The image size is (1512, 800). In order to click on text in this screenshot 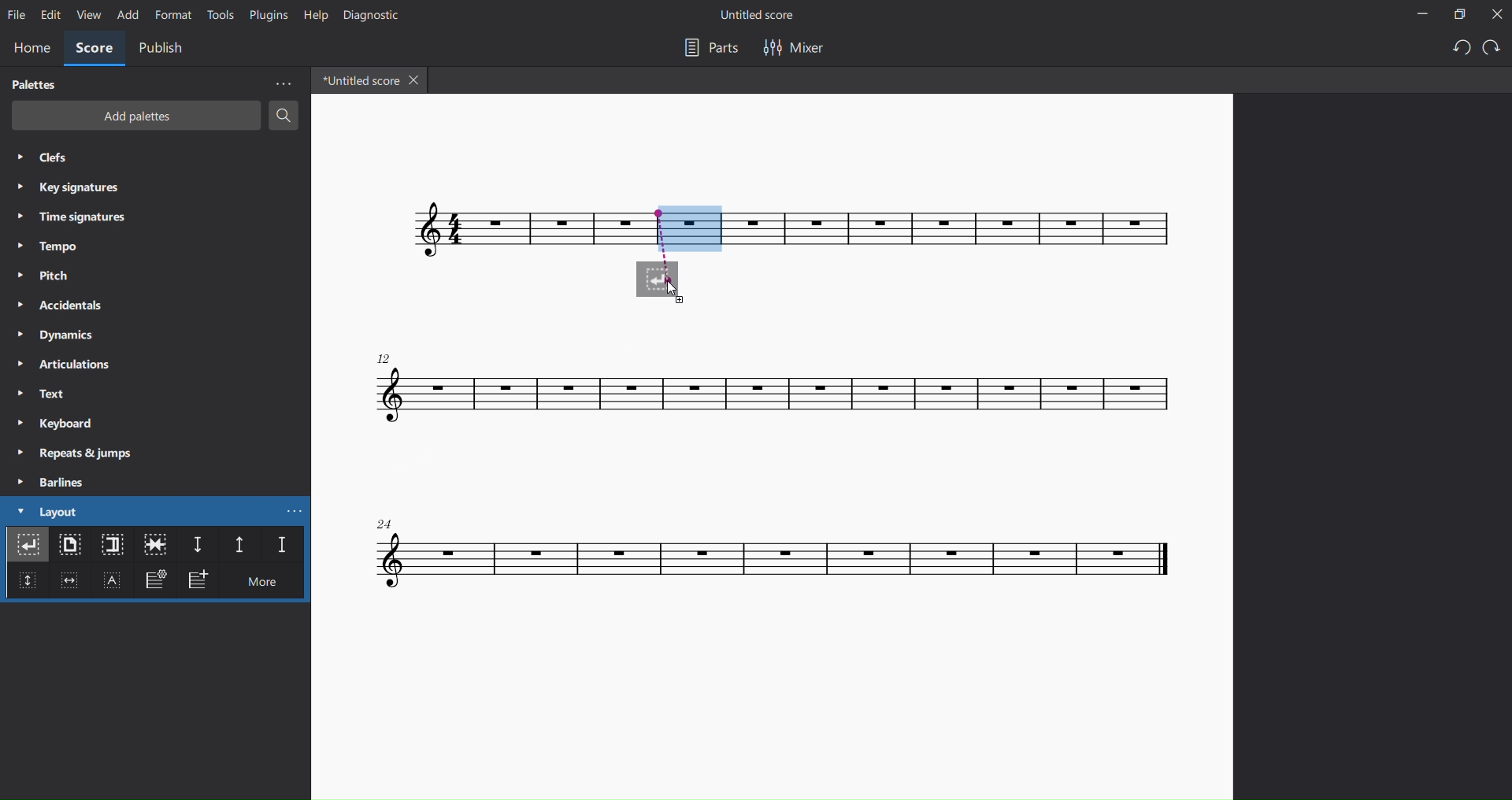, I will do `click(40, 394)`.